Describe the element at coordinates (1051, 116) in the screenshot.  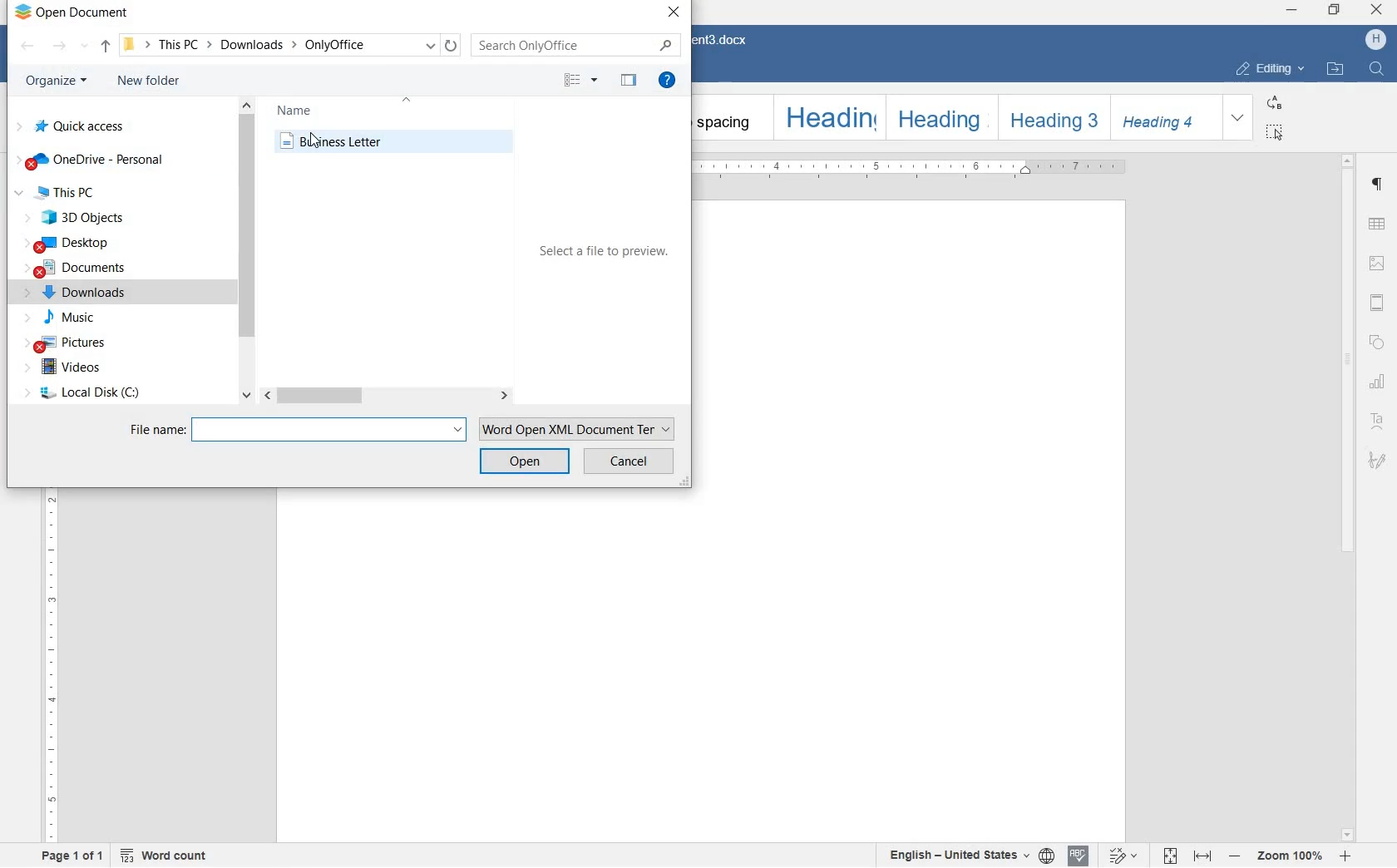
I see `heading 3` at that location.